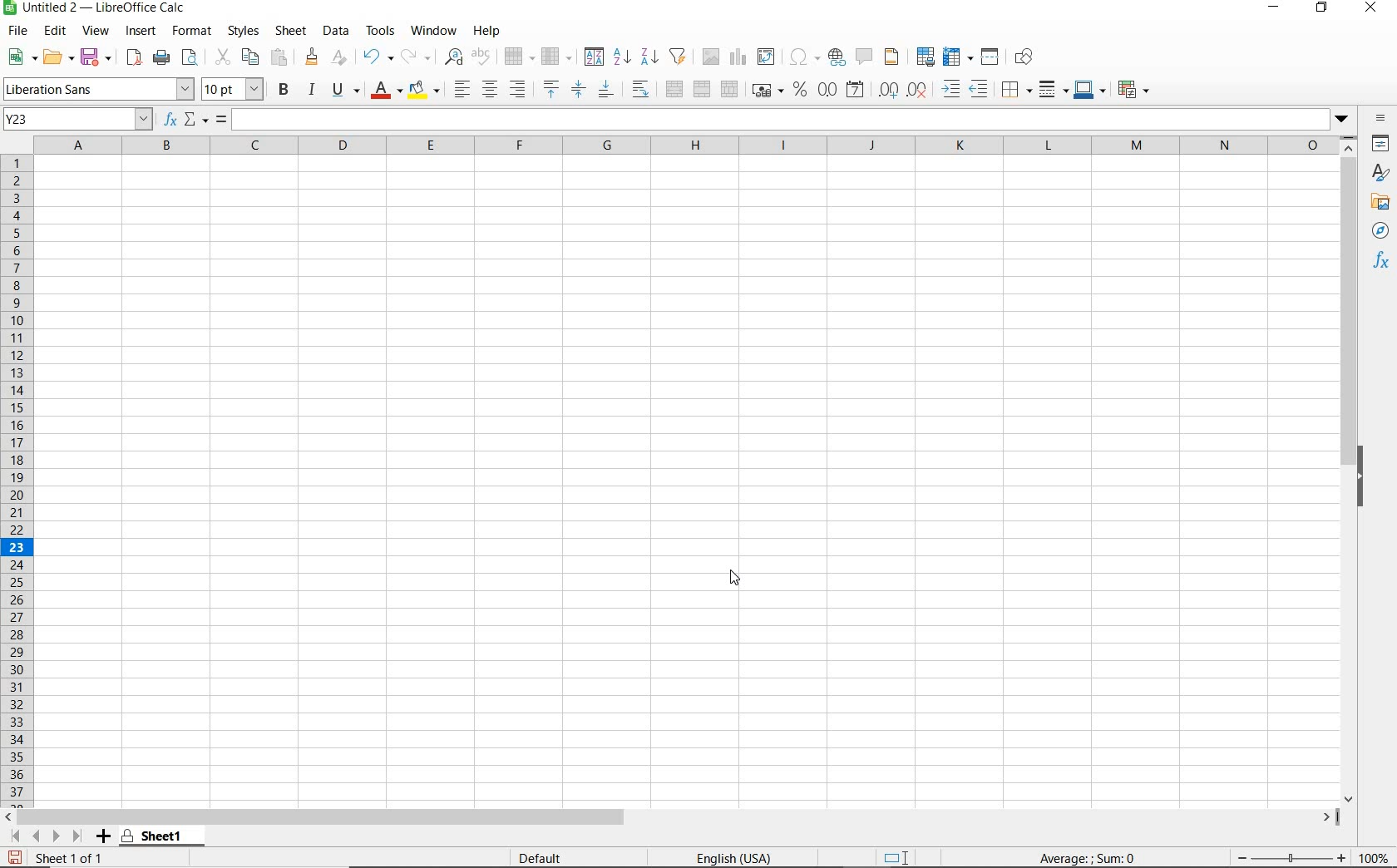 Image resolution: width=1397 pixels, height=868 pixels. What do you see at coordinates (678, 56) in the screenshot?
I see `AUTOFILTER` at bounding box center [678, 56].